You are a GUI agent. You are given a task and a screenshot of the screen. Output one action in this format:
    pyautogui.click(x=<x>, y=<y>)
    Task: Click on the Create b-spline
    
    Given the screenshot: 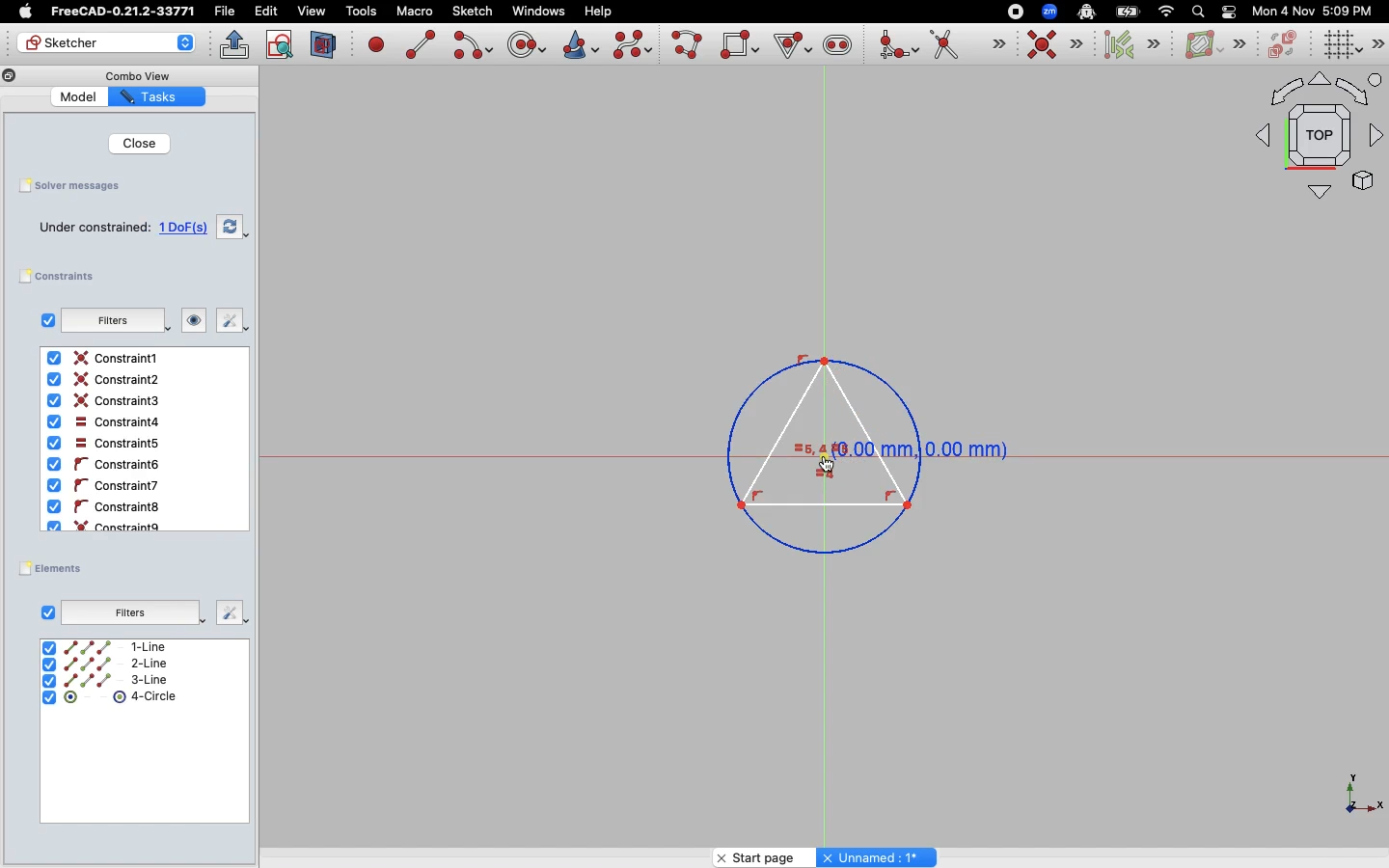 What is the action you would take?
    pyautogui.click(x=633, y=44)
    